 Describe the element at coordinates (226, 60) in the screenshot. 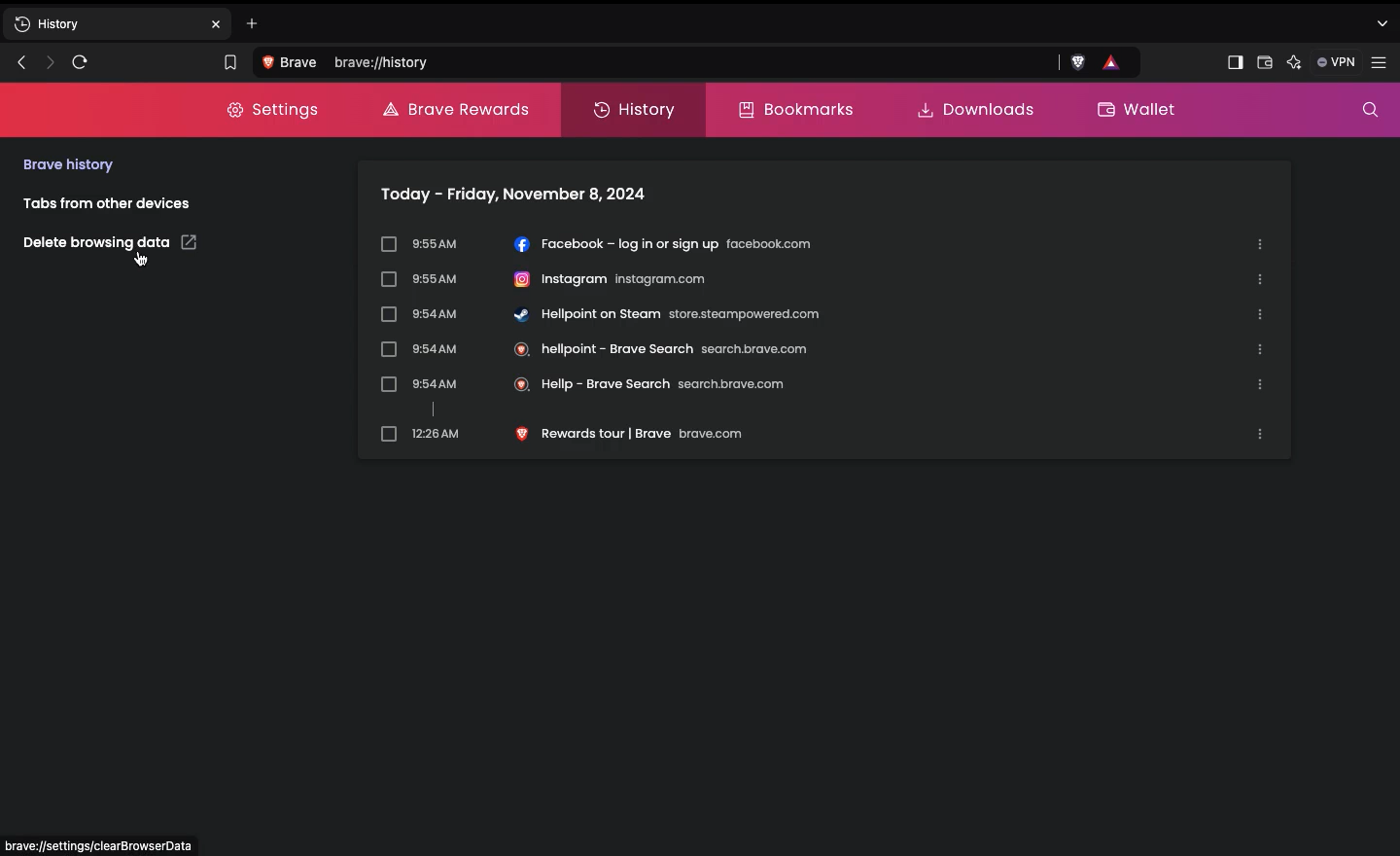

I see `Bookmark` at that location.